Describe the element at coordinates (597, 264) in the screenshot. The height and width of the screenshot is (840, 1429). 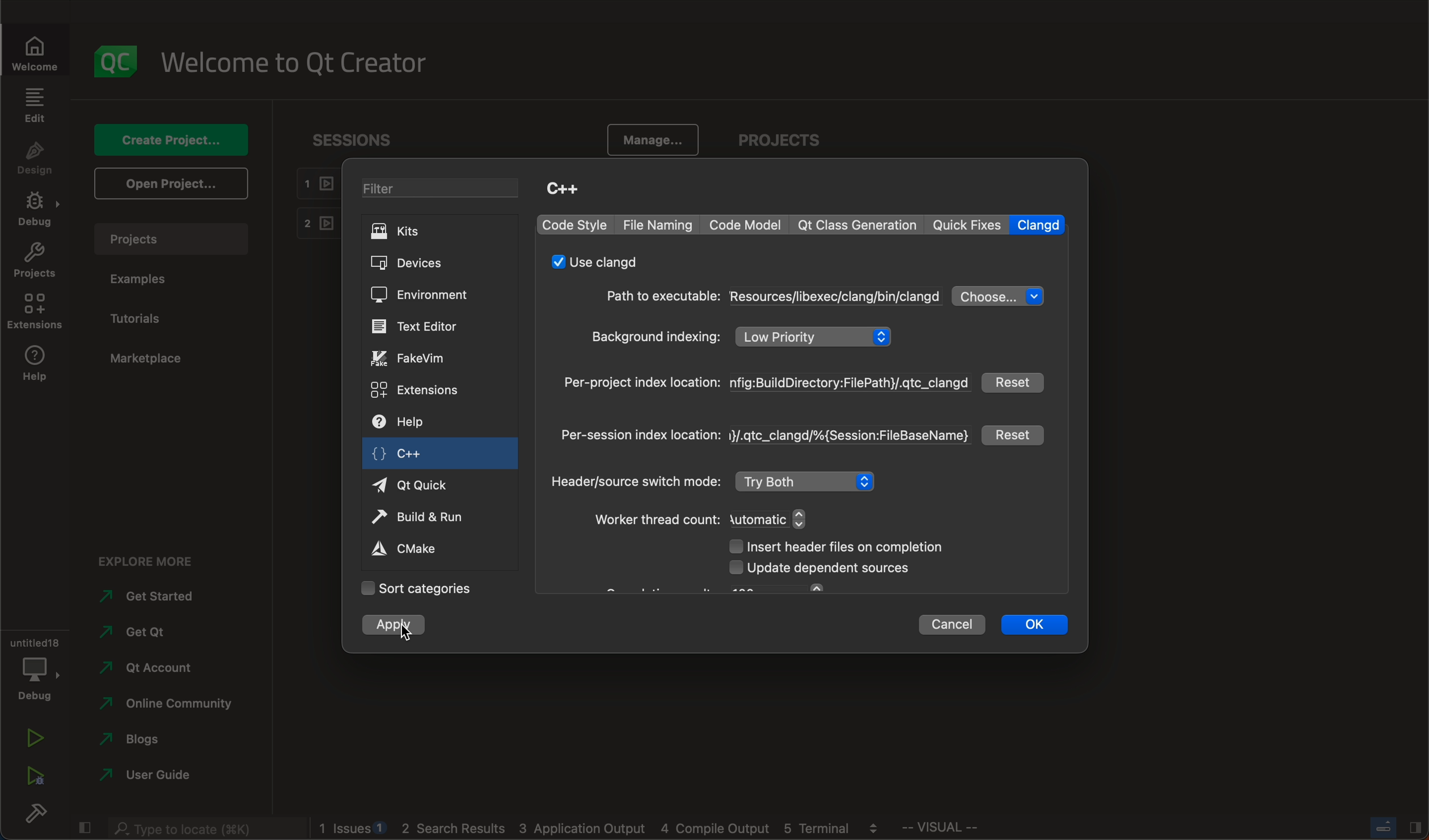
I see `use clangd` at that location.